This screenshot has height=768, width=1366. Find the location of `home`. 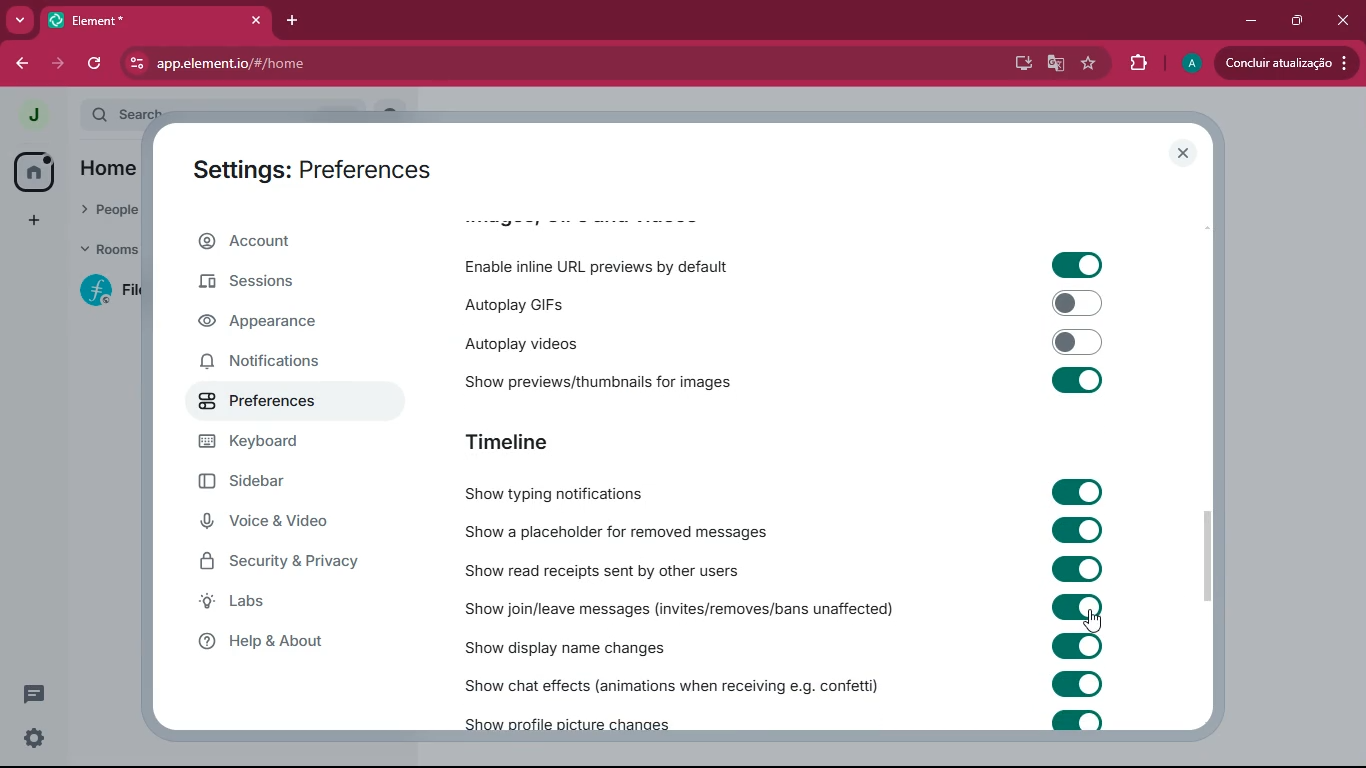

home is located at coordinates (34, 171).